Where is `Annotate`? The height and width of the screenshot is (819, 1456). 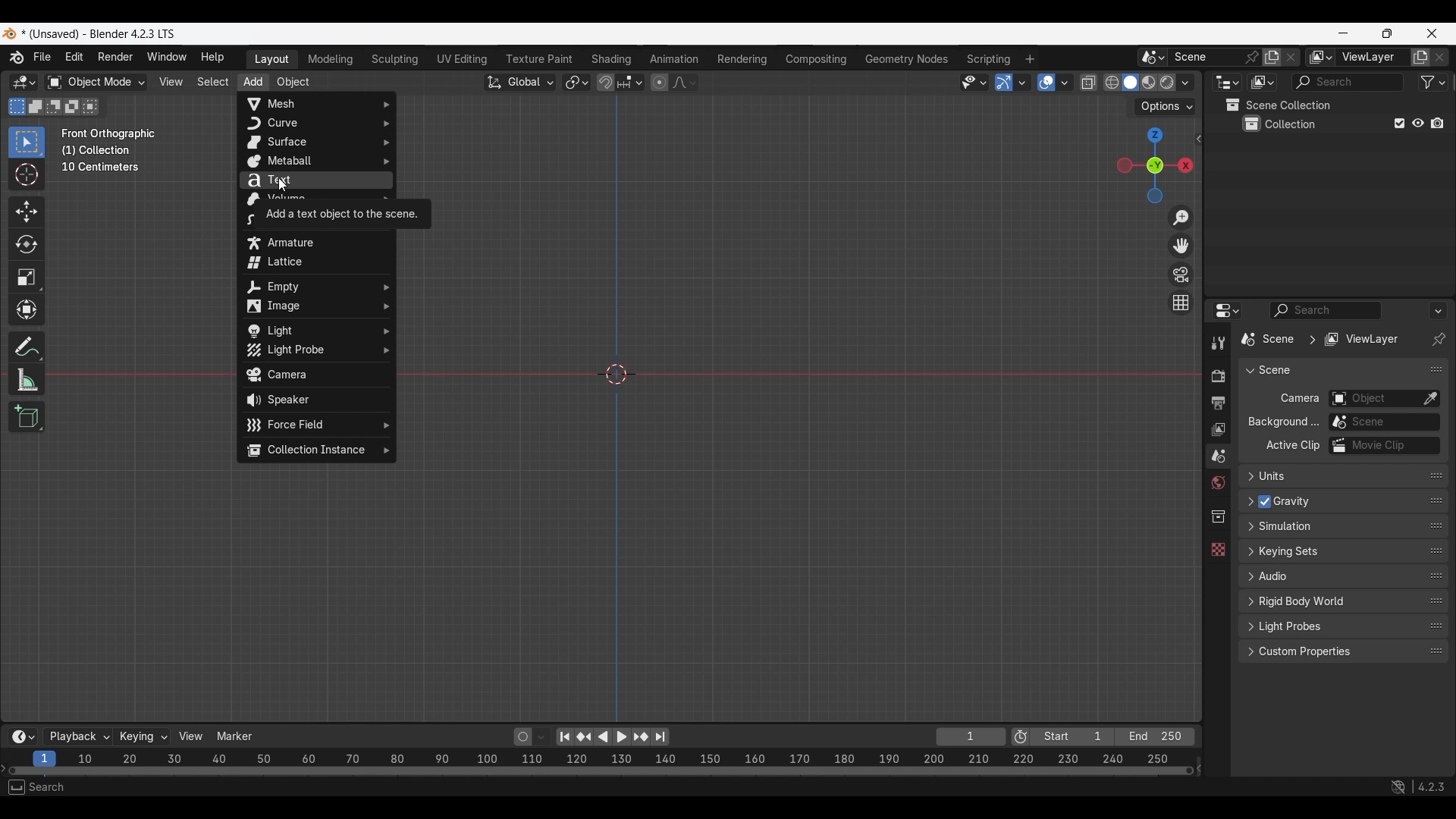 Annotate is located at coordinates (27, 347).